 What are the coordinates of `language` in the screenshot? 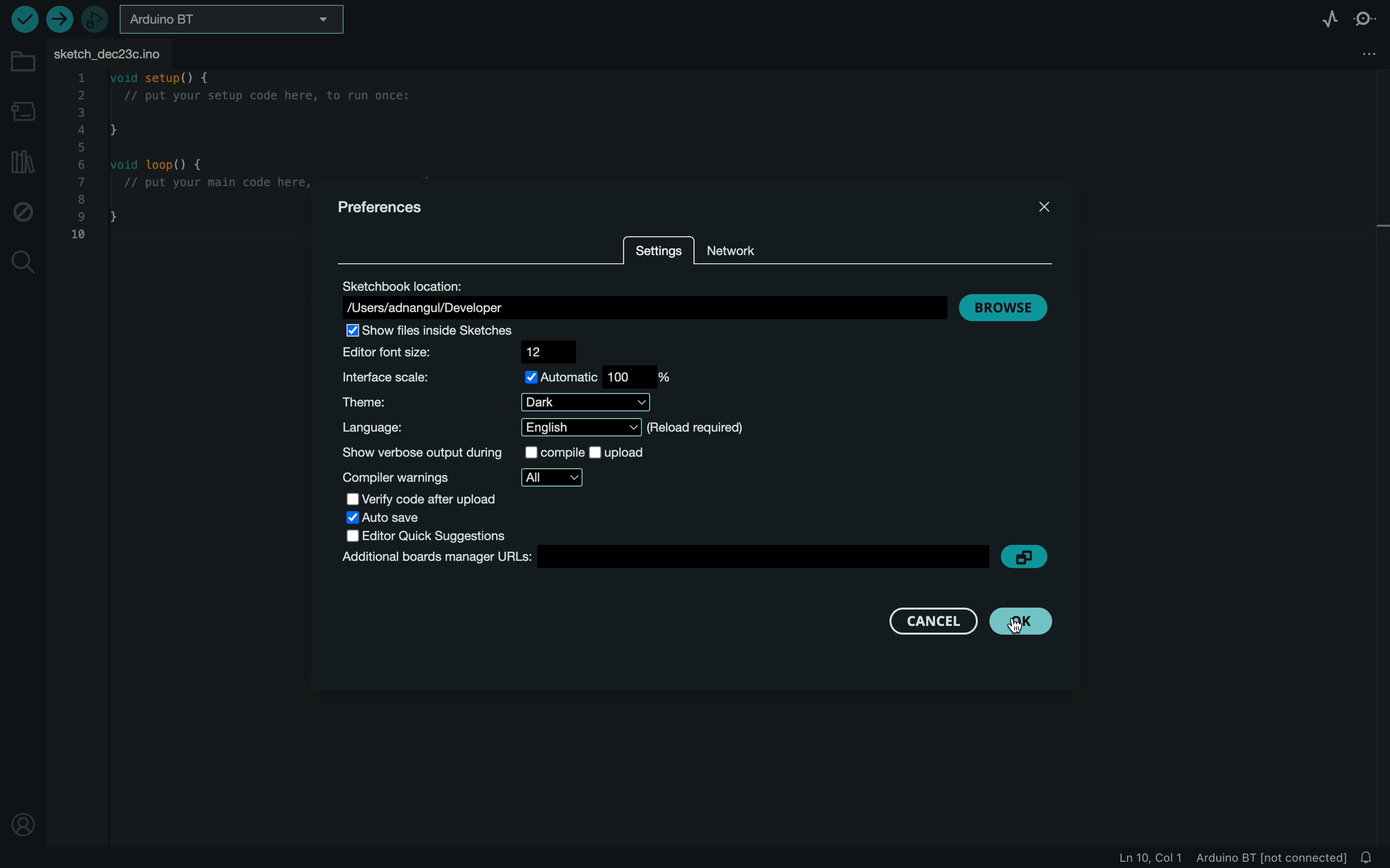 It's located at (539, 428).